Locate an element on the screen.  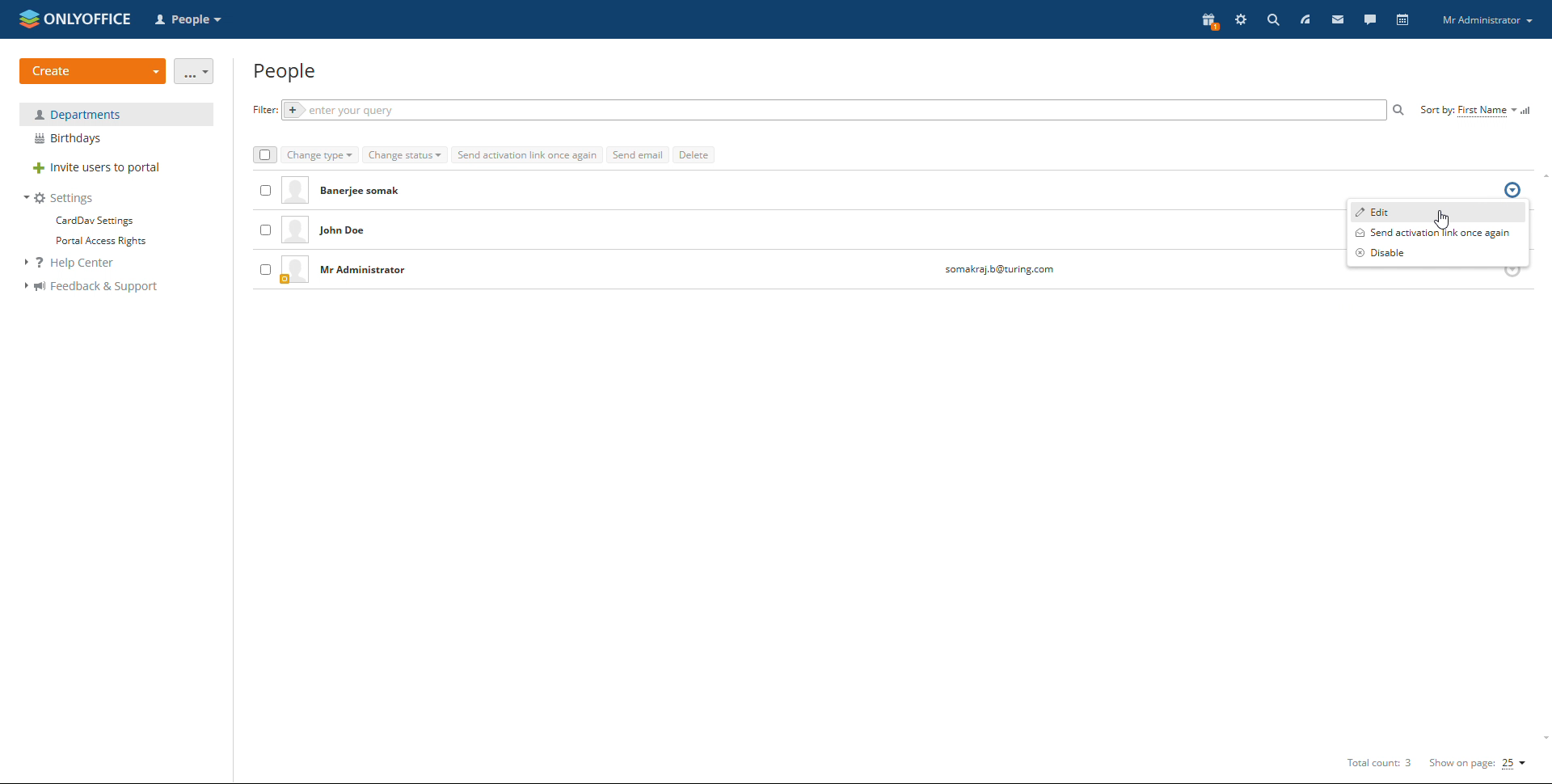
cursor is located at coordinates (1446, 217).